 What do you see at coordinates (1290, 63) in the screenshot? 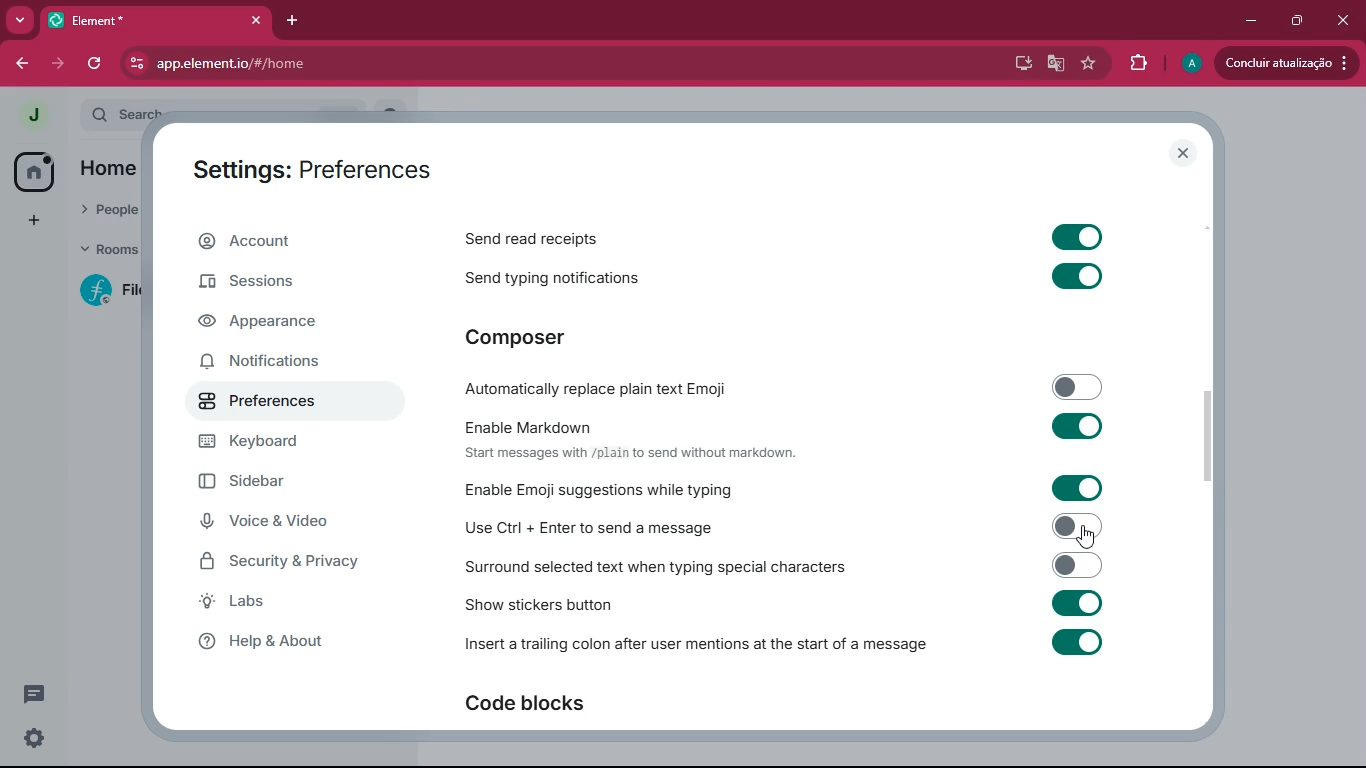
I see `Concluir atualização` at bounding box center [1290, 63].